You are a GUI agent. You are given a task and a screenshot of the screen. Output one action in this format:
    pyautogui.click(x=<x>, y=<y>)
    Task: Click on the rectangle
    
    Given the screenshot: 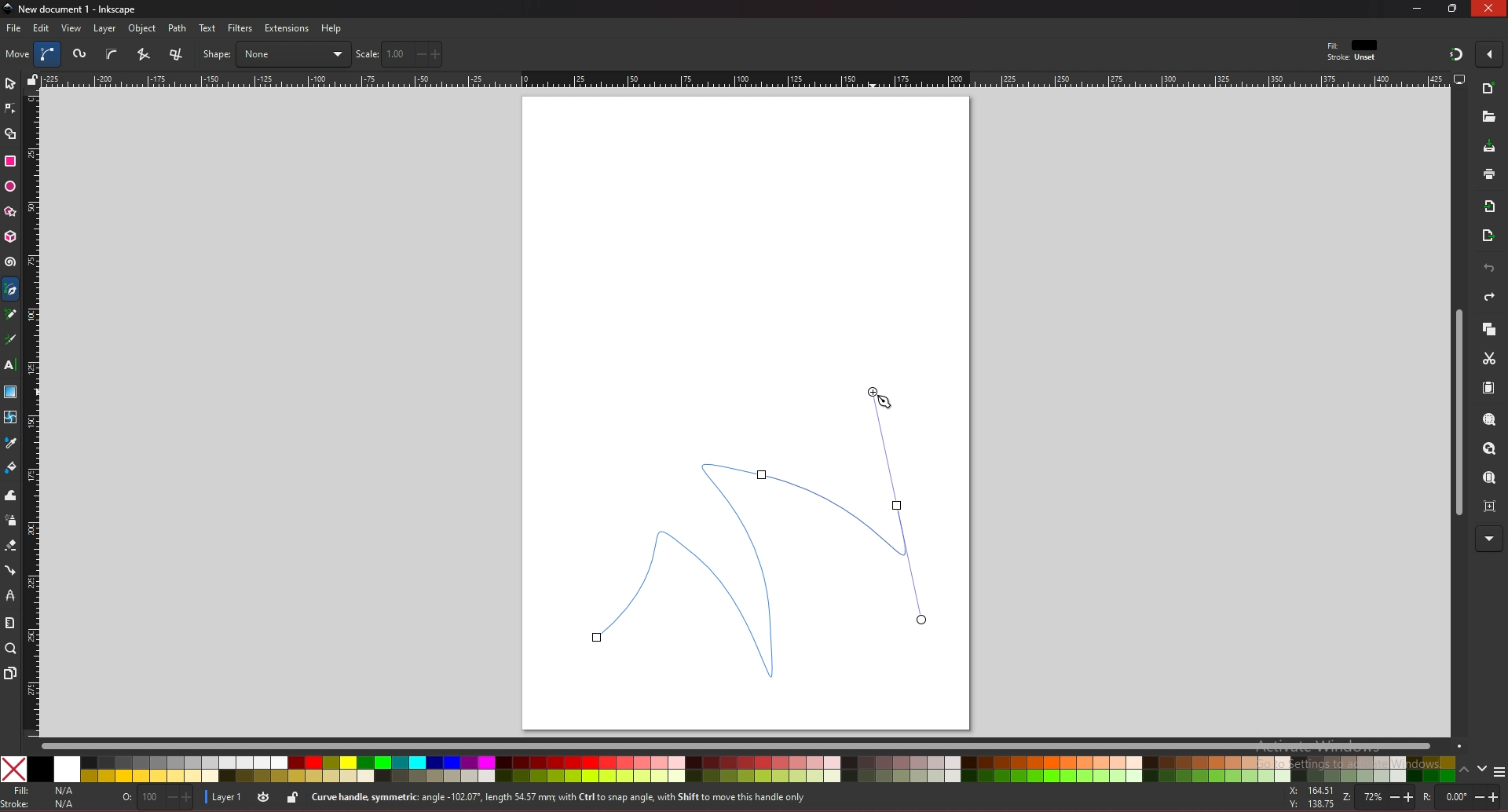 What is the action you would take?
    pyautogui.click(x=9, y=161)
    